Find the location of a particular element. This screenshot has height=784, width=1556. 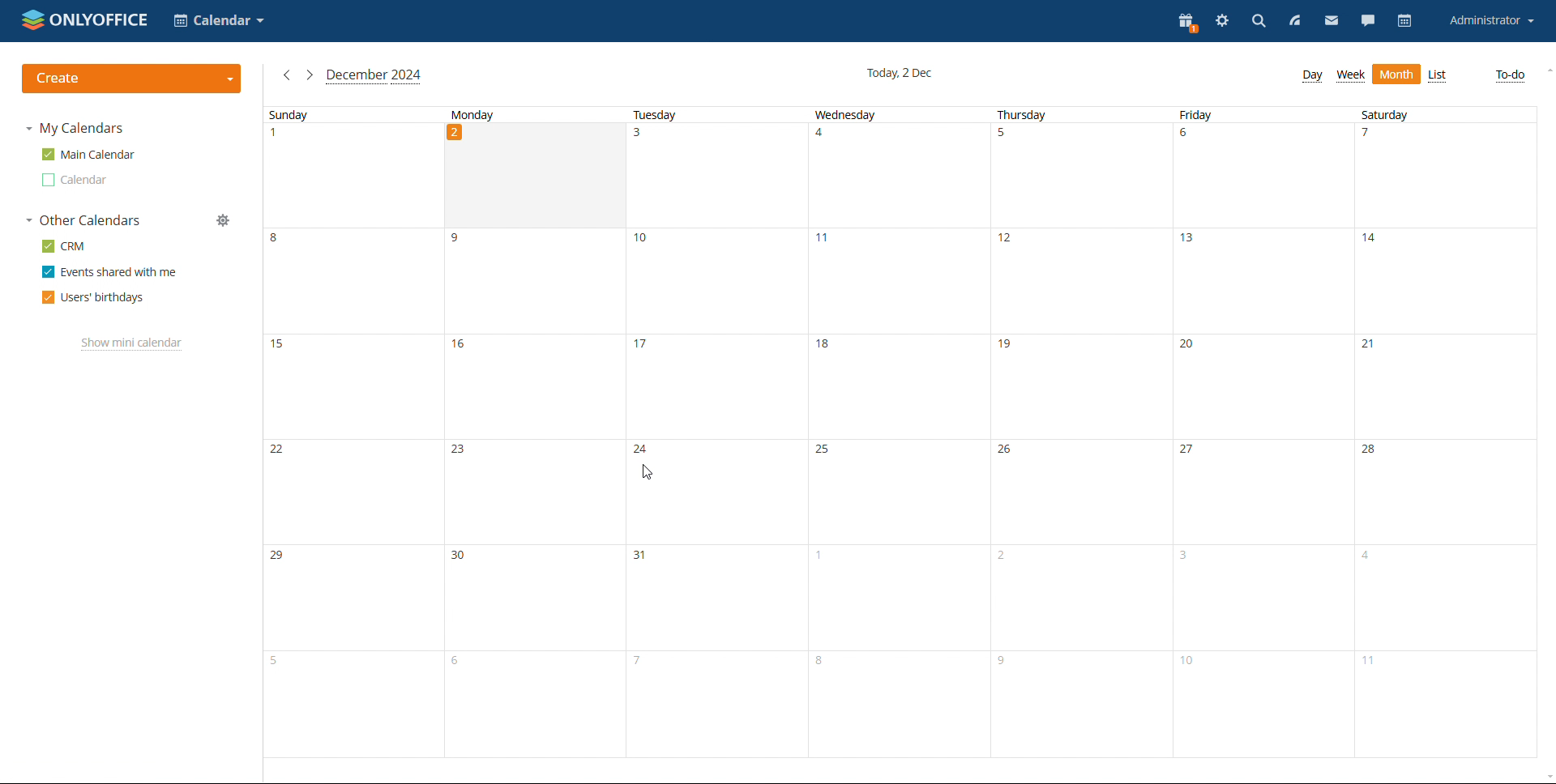

Today, 2 Dec is located at coordinates (904, 72).